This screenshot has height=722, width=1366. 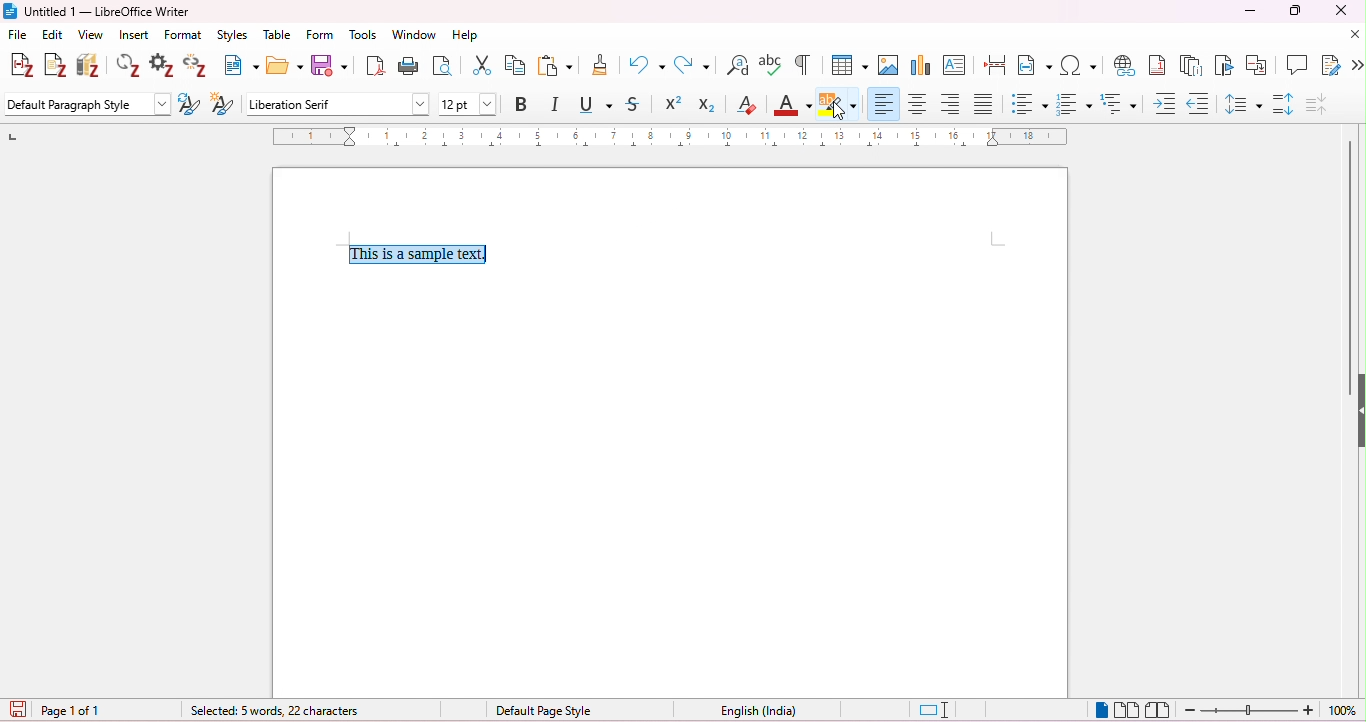 What do you see at coordinates (331, 67) in the screenshot?
I see `save` at bounding box center [331, 67].